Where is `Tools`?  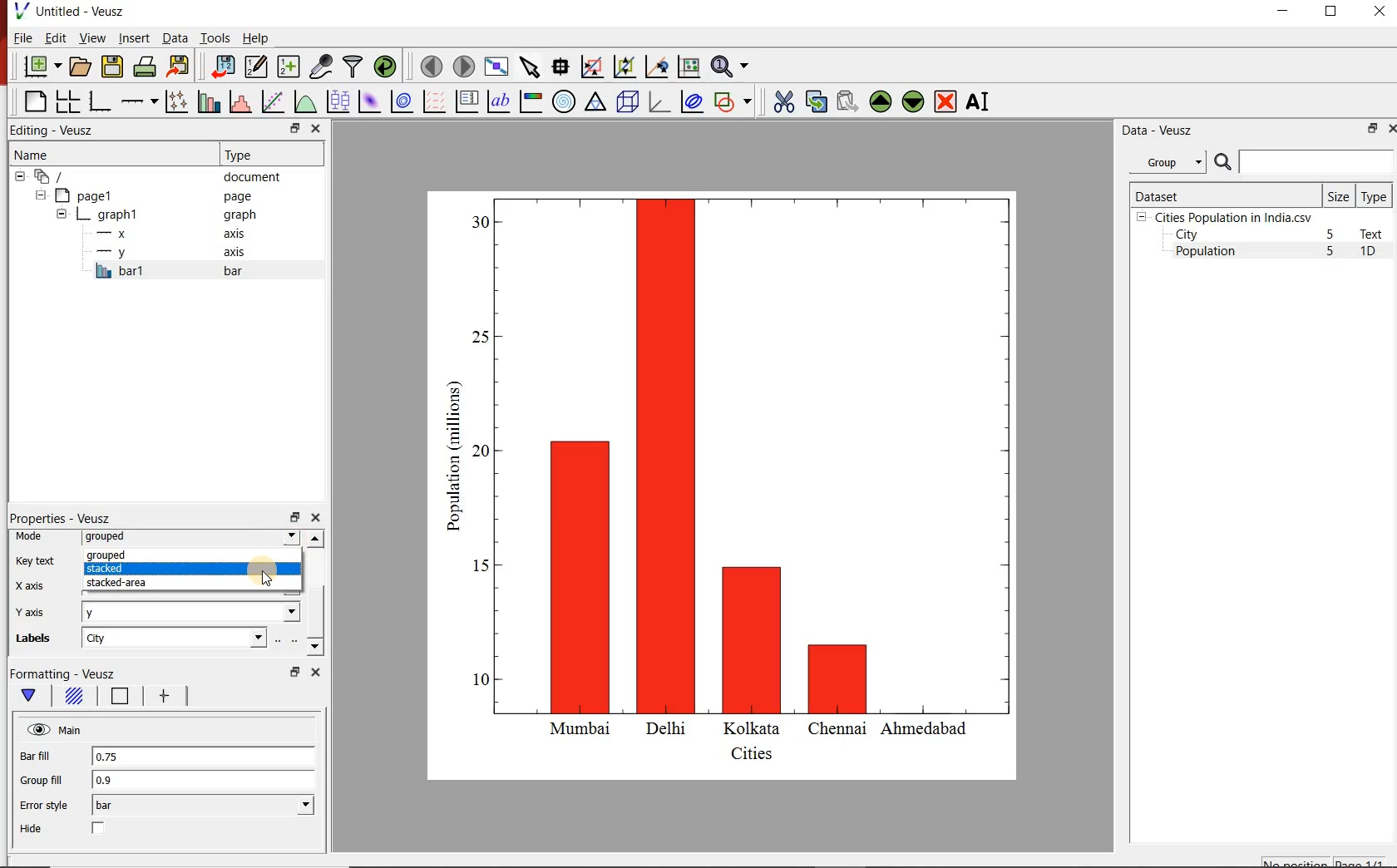
Tools is located at coordinates (214, 37).